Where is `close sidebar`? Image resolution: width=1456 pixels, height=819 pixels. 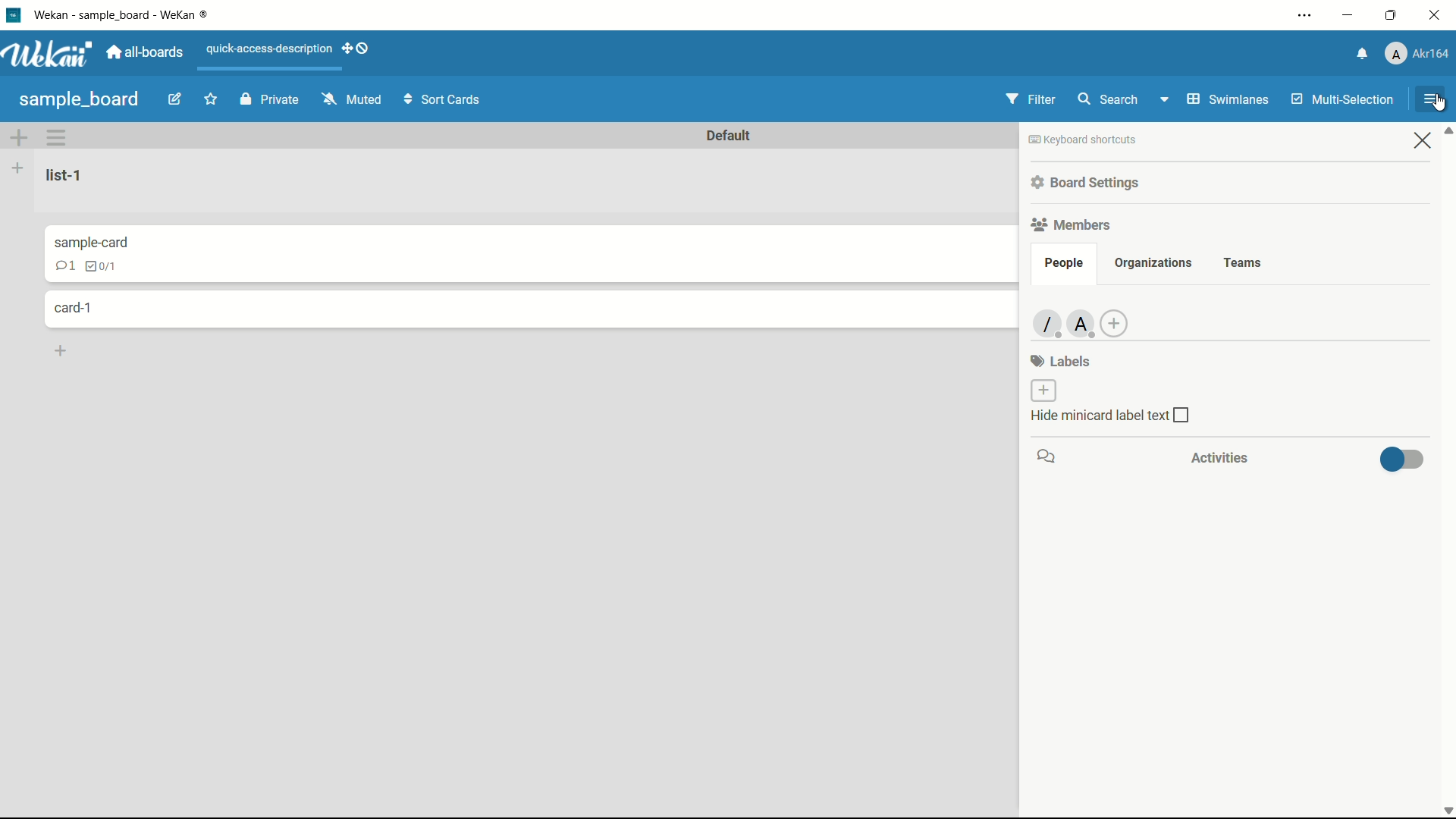 close sidebar is located at coordinates (1417, 142).